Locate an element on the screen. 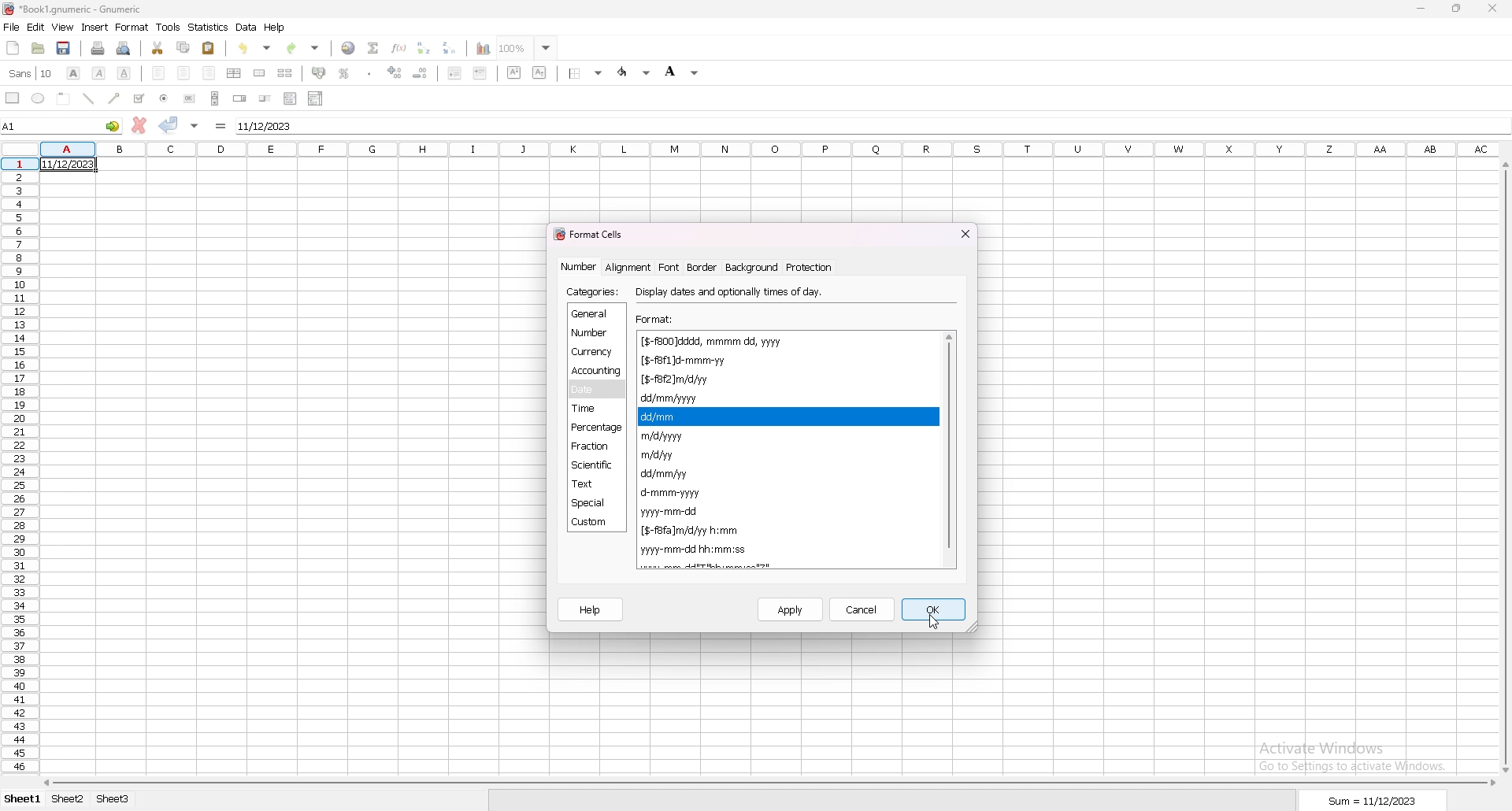 The height and width of the screenshot is (811, 1512). italic is located at coordinates (98, 73).